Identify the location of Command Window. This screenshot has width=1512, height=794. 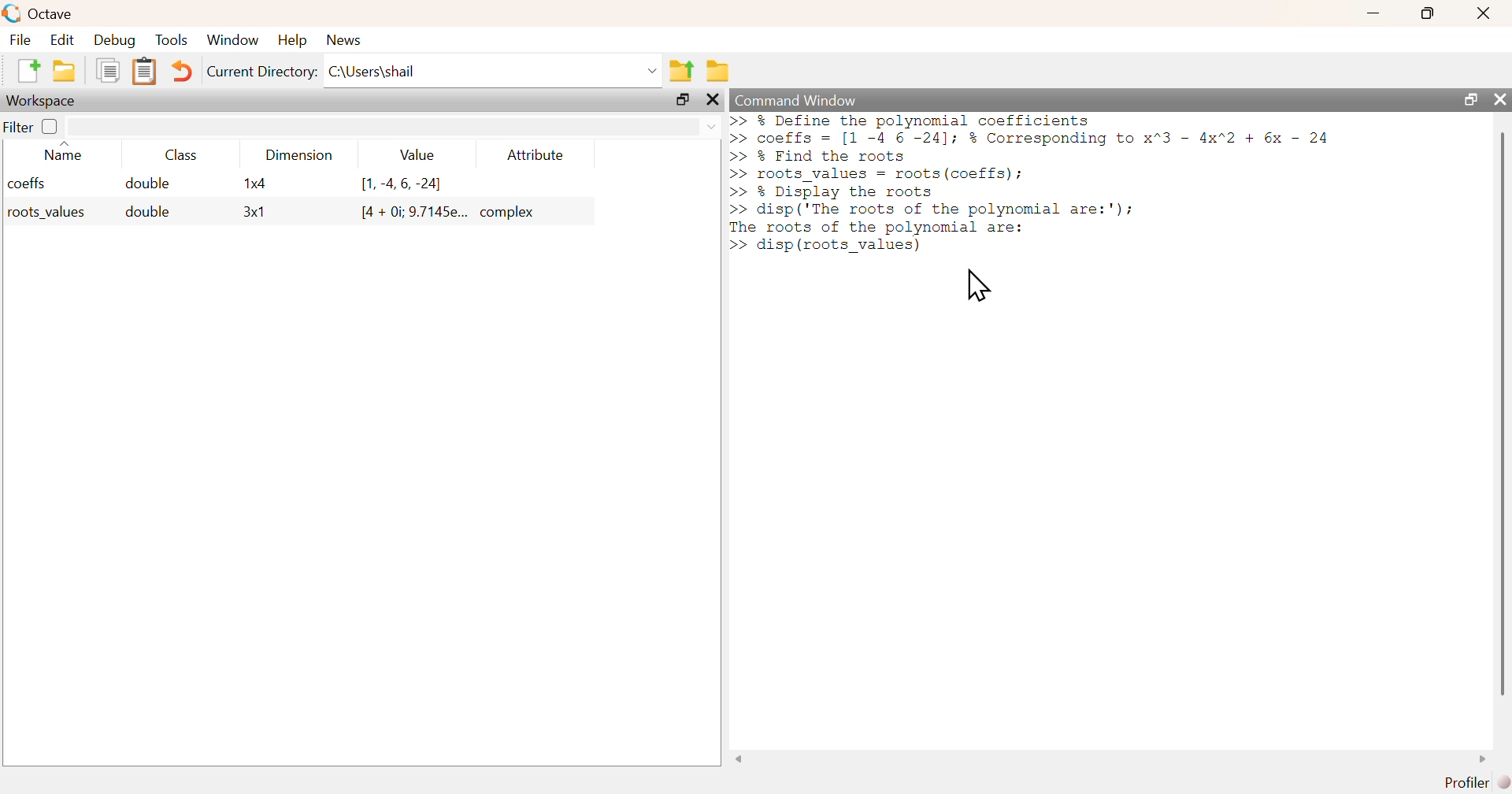
(796, 101).